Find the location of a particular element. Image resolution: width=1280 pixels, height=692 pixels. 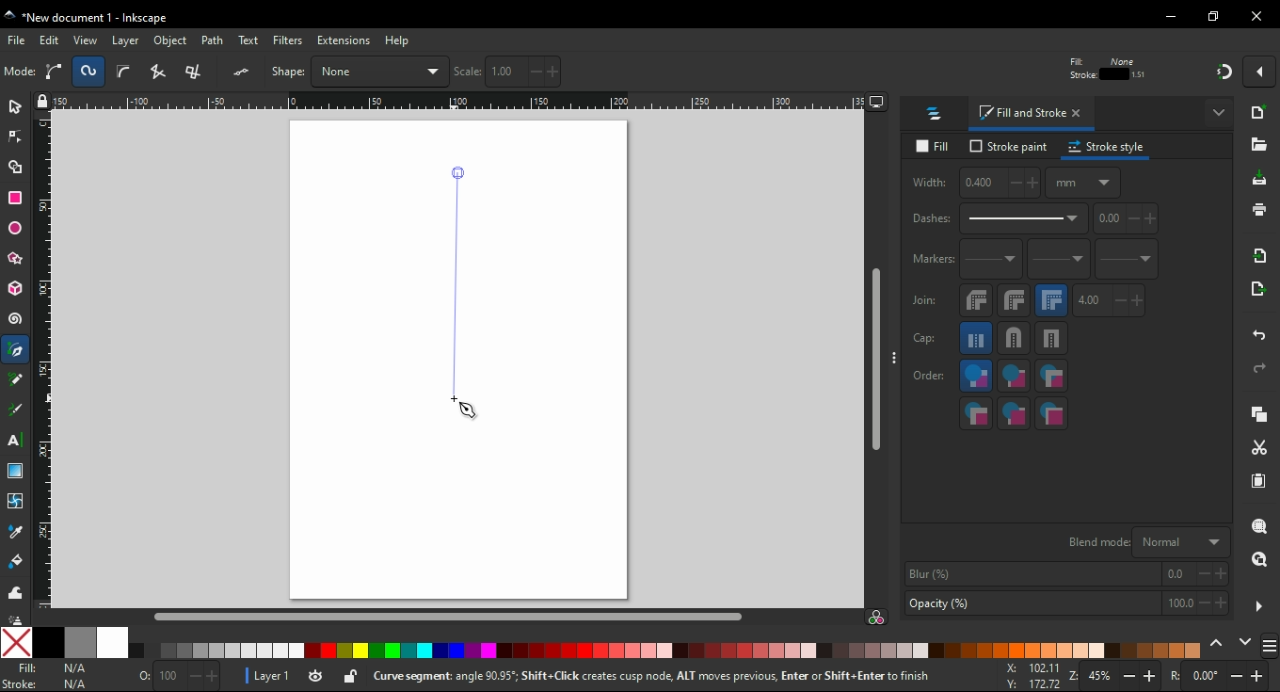

blend mode Normal is located at coordinates (1145, 541).